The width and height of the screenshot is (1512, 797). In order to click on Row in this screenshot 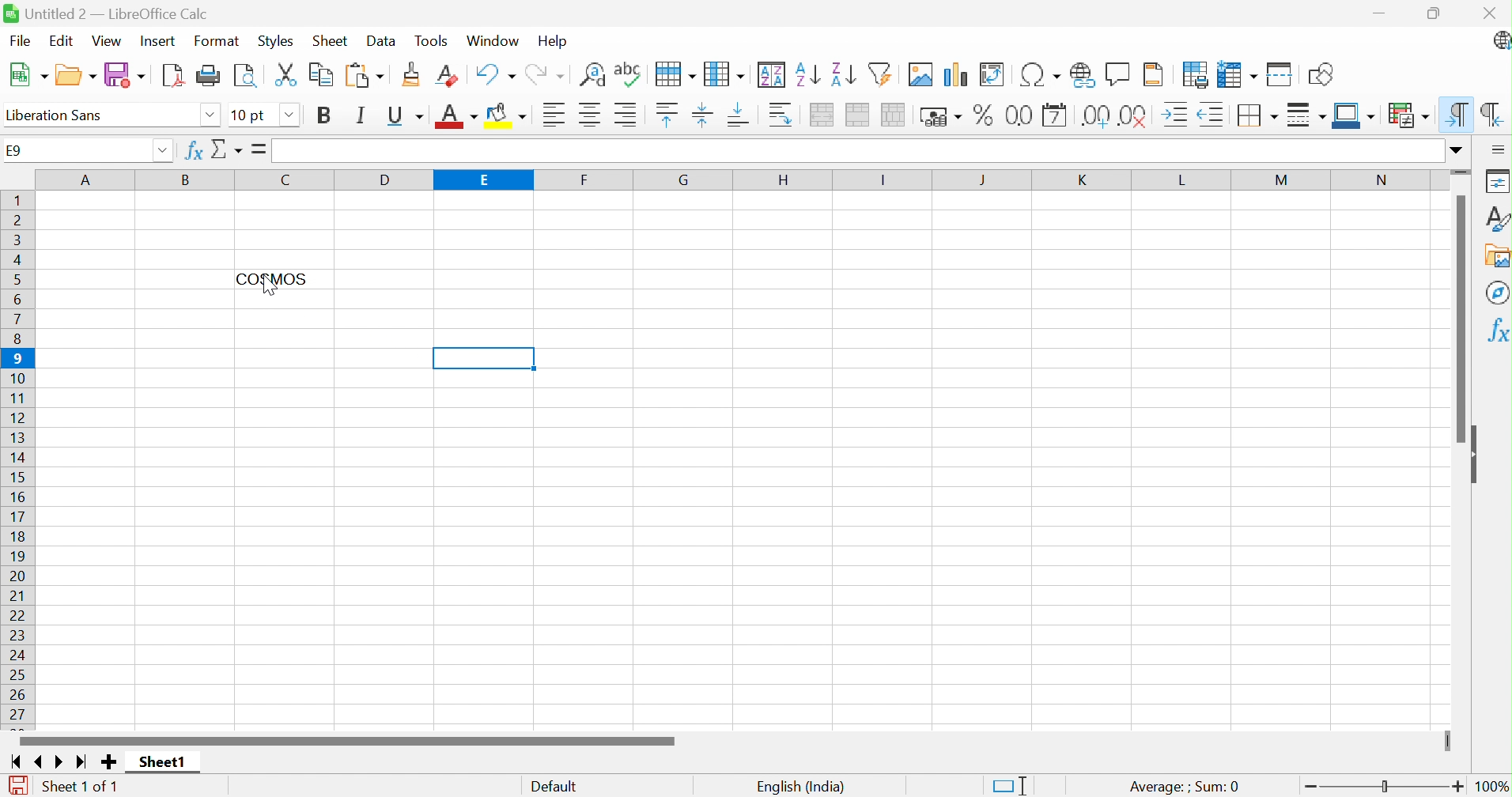, I will do `click(676, 76)`.